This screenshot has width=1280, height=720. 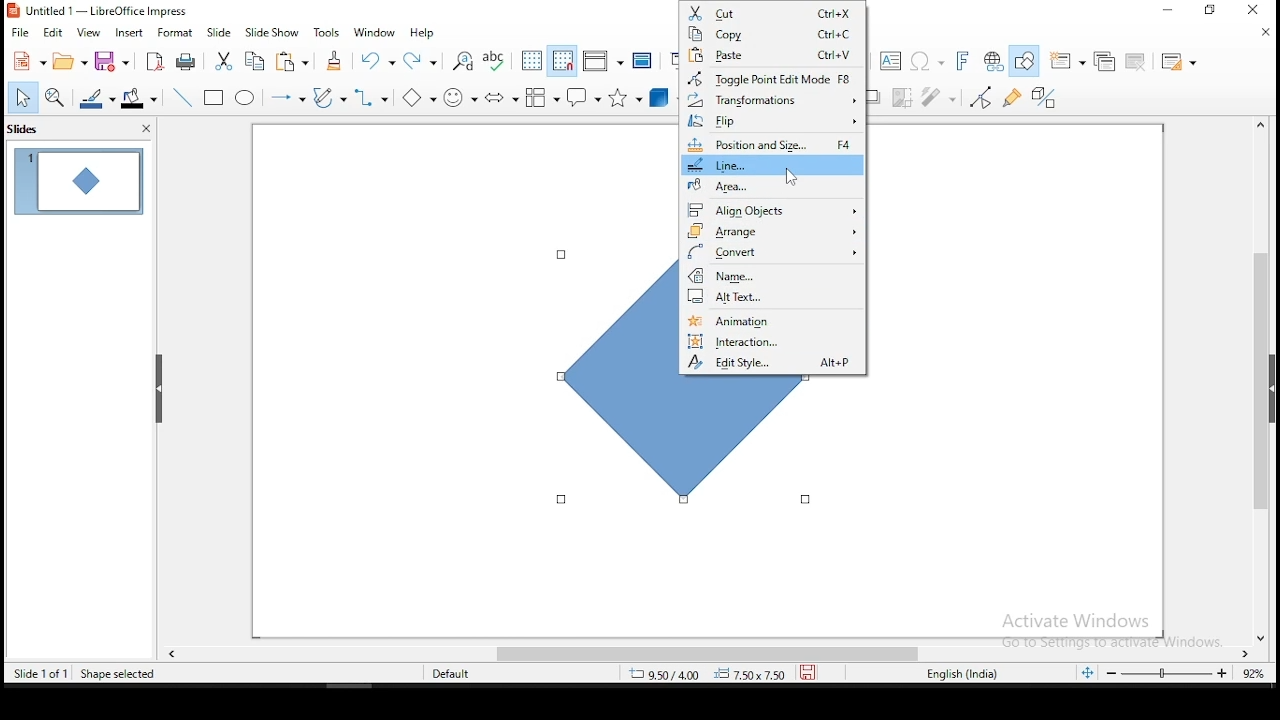 What do you see at coordinates (769, 318) in the screenshot?
I see `animation` at bounding box center [769, 318].